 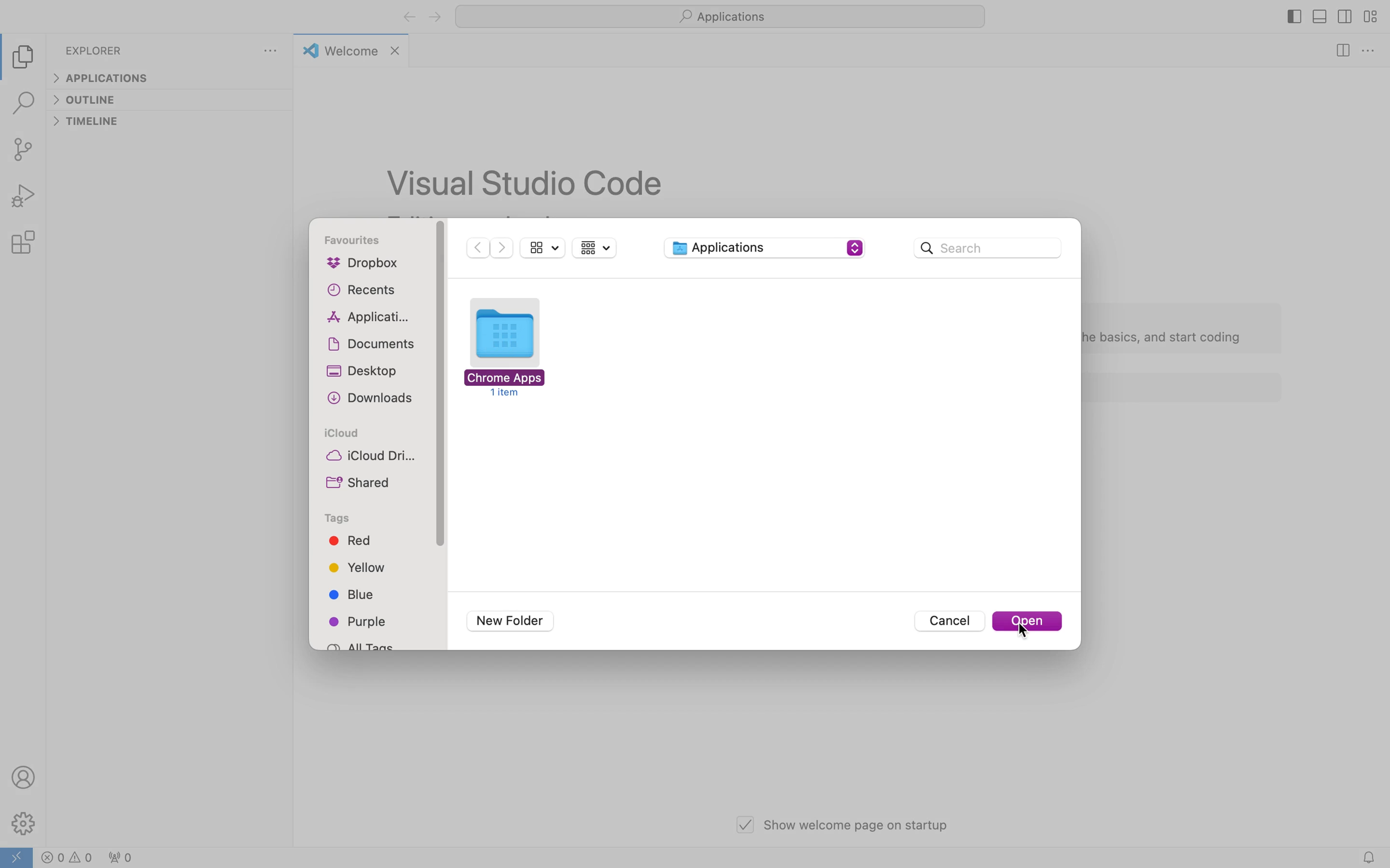 What do you see at coordinates (364, 481) in the screenshot?
I see `shared` at bounding box center [364, 481].